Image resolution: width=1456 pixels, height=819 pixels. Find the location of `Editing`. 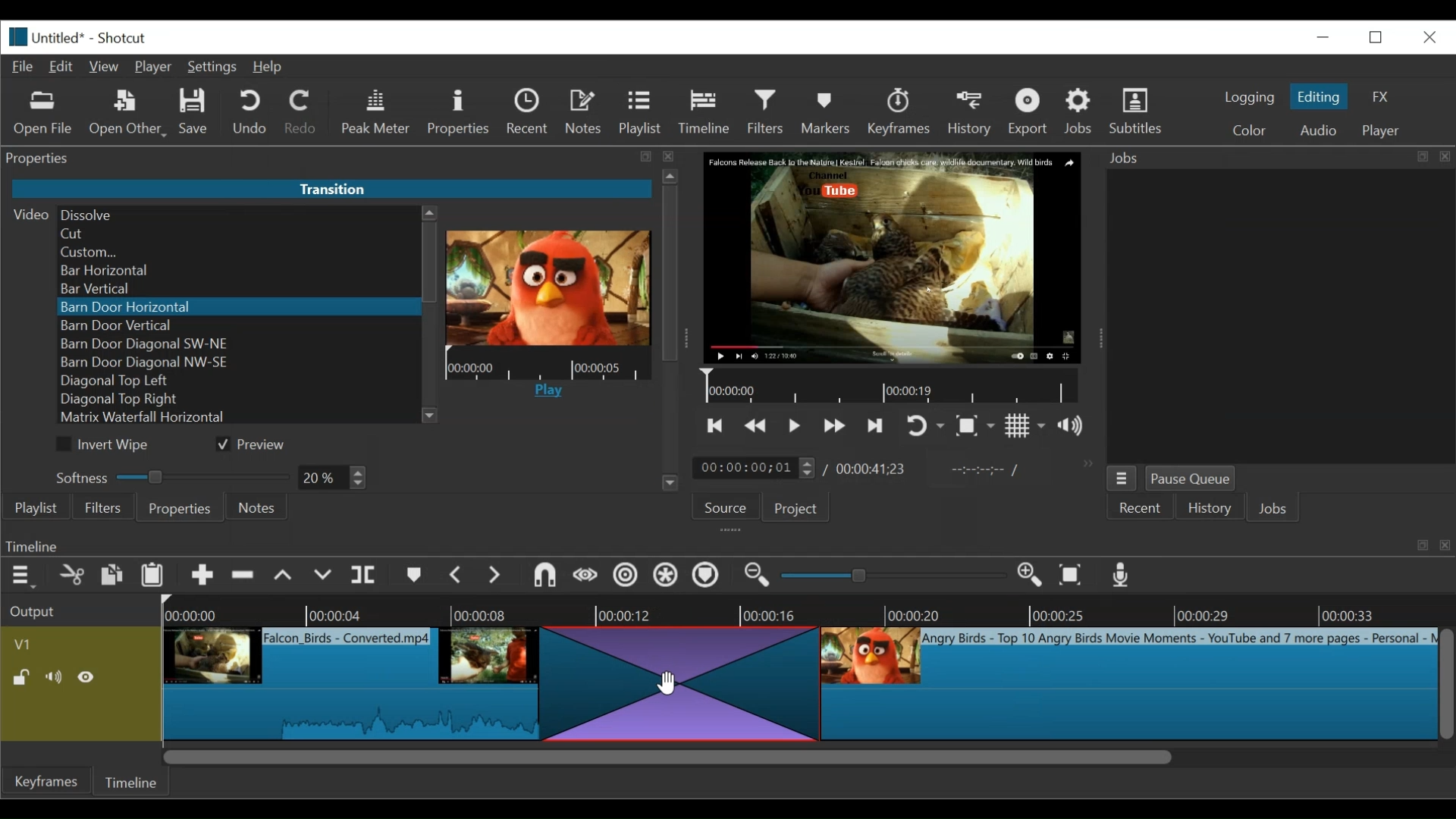

Editing is located at coordinates (1320, 96).